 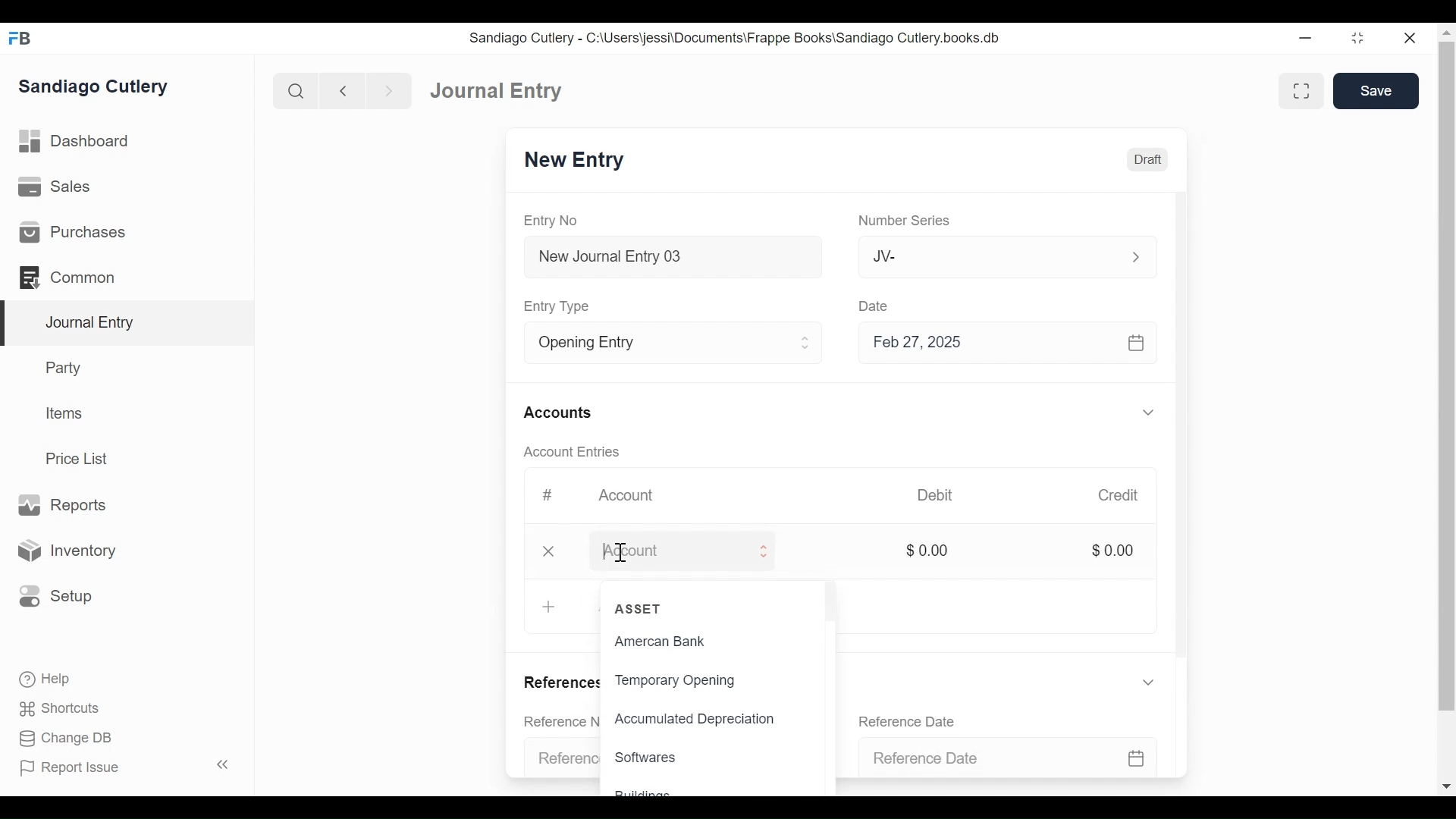 What do you see at coordinates (1015, 344) in the screenshot?
I see `Feb 27, 2025` at bounding box center [1015, 344].